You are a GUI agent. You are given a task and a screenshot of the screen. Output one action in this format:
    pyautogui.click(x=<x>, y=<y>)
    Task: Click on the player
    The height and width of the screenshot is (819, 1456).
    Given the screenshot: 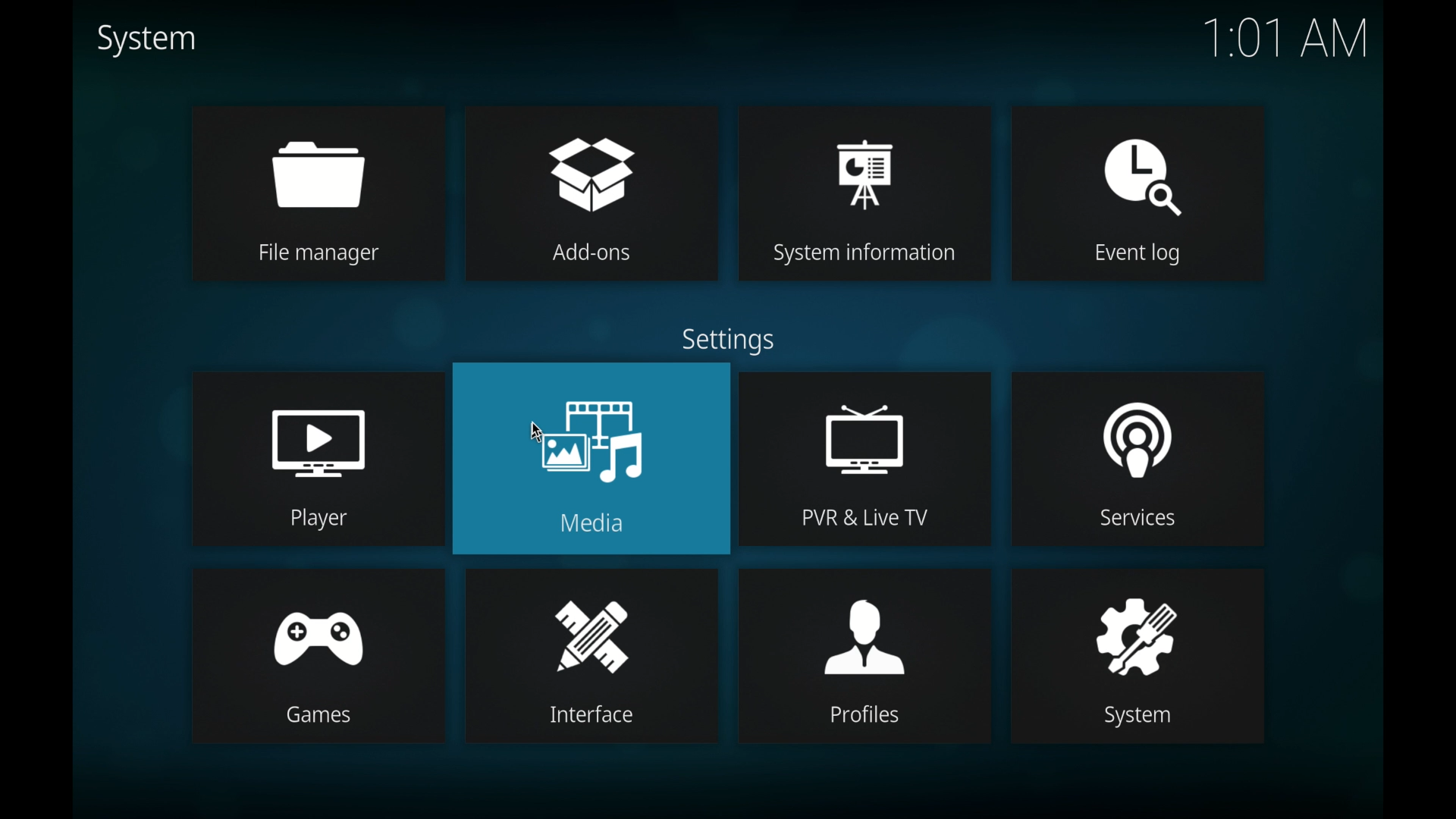 What is the action you would take?
    pyautogui.click(x=319, y=432)
    